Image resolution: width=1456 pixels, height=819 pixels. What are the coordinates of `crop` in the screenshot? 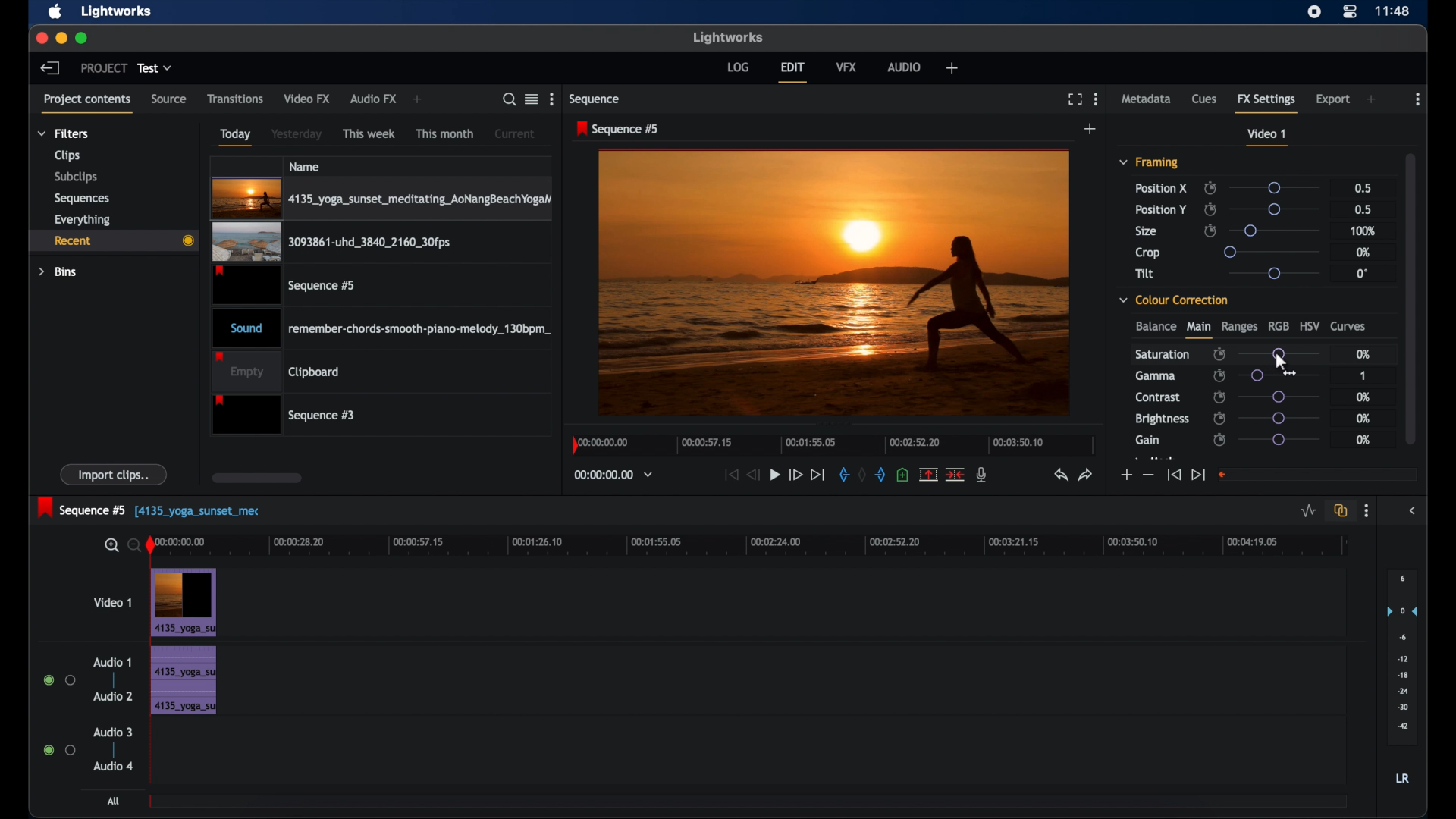 It's located at (1148, 253).